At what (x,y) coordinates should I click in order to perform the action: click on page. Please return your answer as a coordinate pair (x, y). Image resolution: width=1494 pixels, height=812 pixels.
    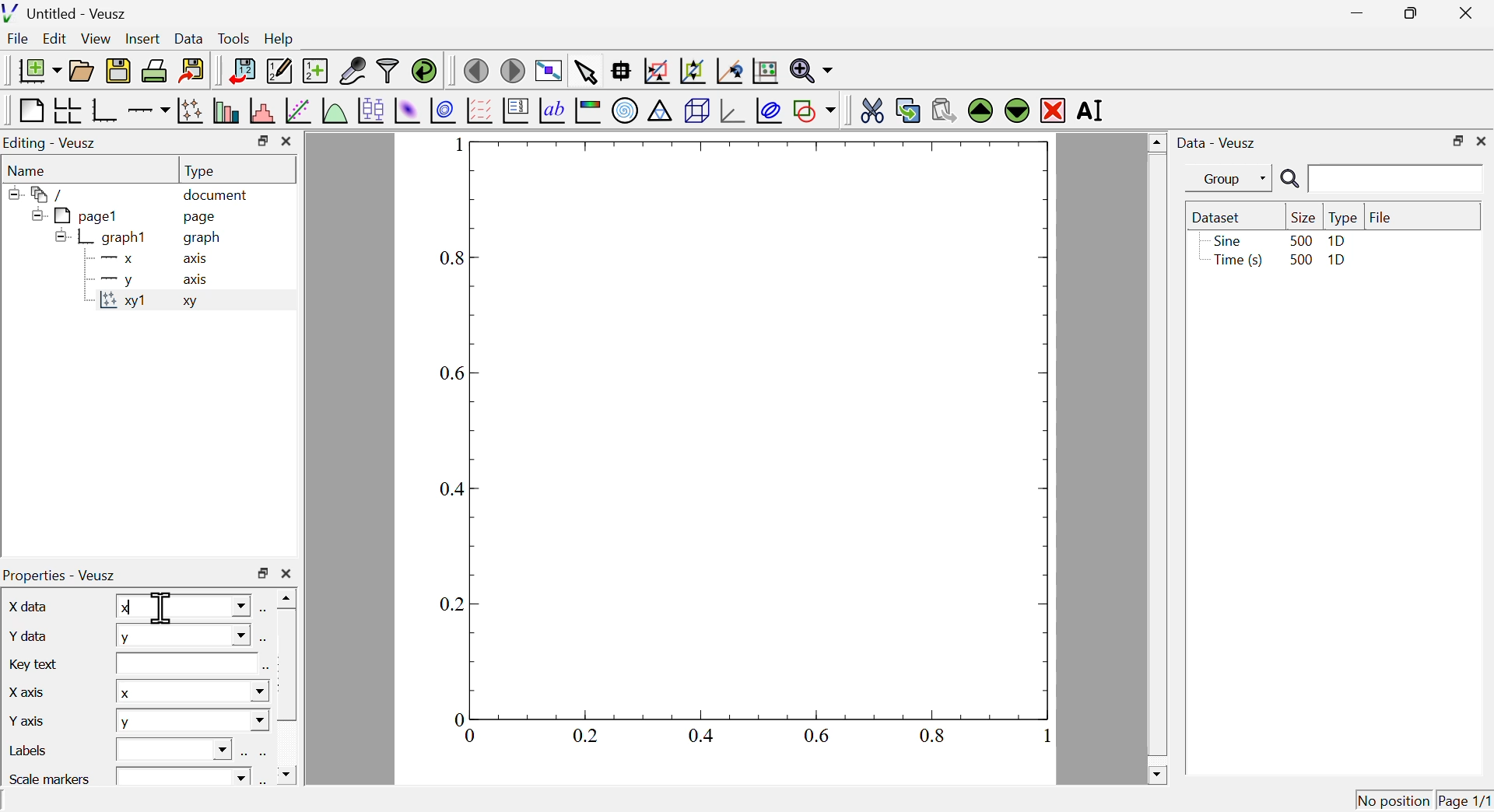
    Looking at the image, I should click on (202, 219).